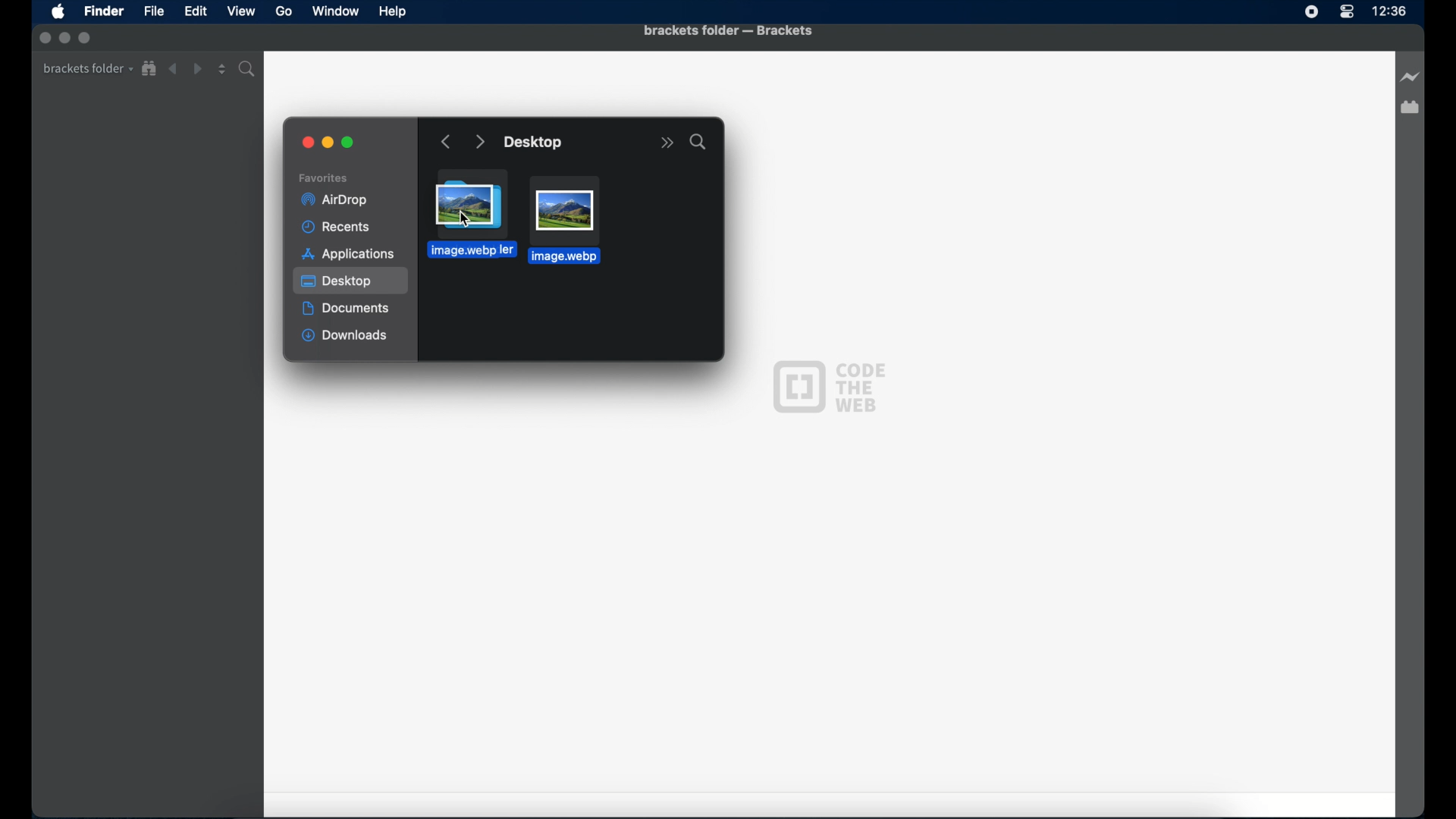 Image resolution: width=1456 pixels, height=819 pixels. I want to click on show in file tree, so click(149, 69).